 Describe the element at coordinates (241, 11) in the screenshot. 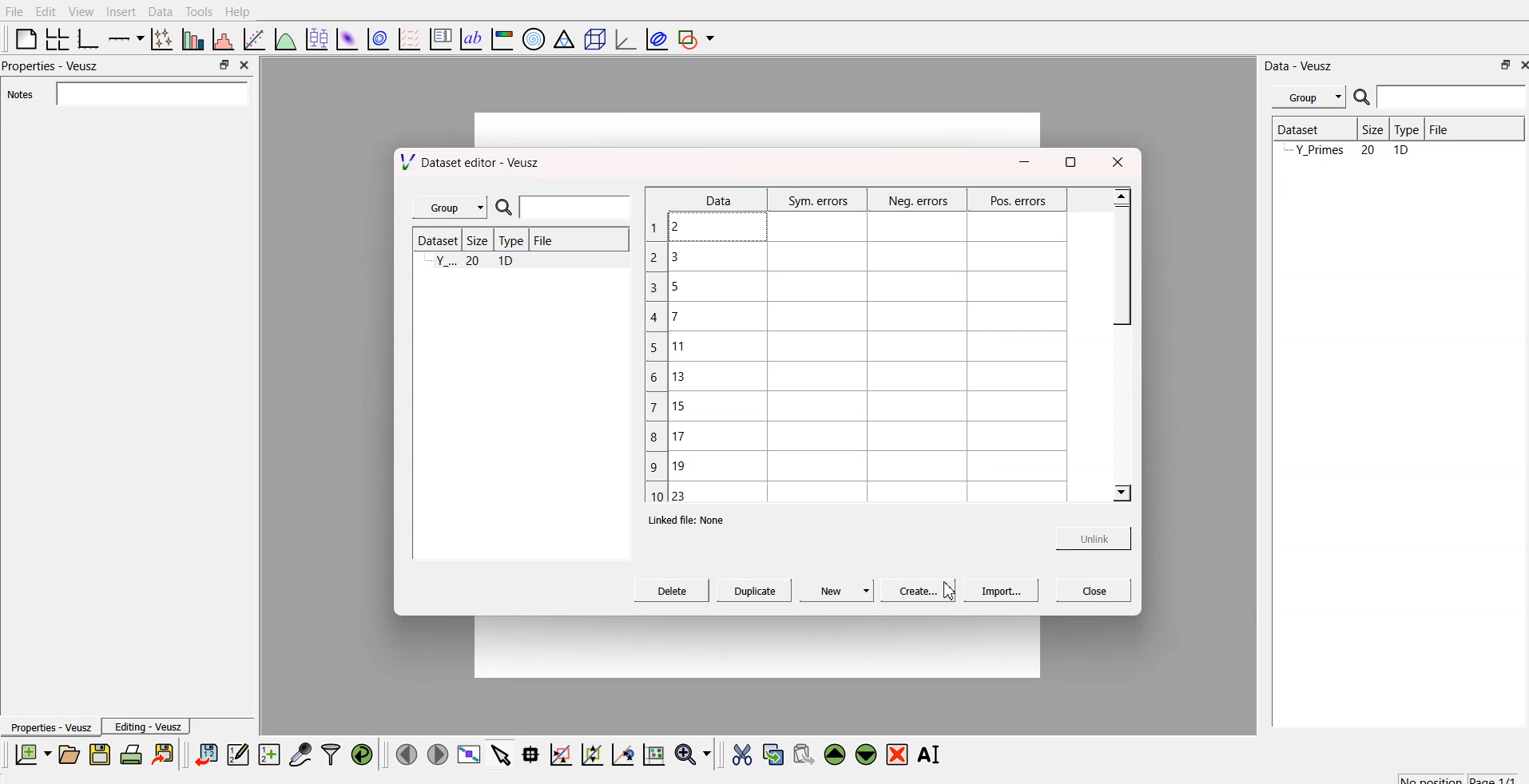

I see `Help` at that location.